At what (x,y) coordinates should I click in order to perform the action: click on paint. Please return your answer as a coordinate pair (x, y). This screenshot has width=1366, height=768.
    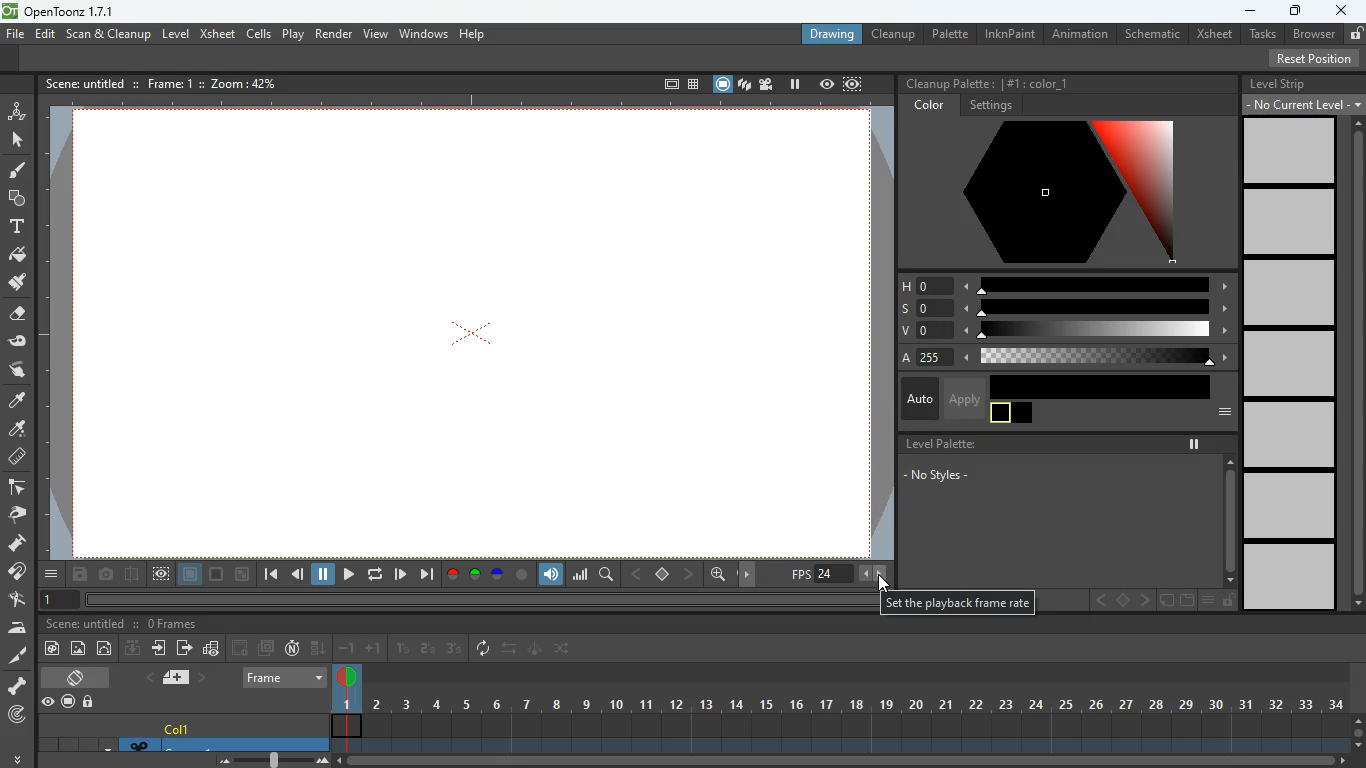
    Looking at the image, I should click on (50, 649).